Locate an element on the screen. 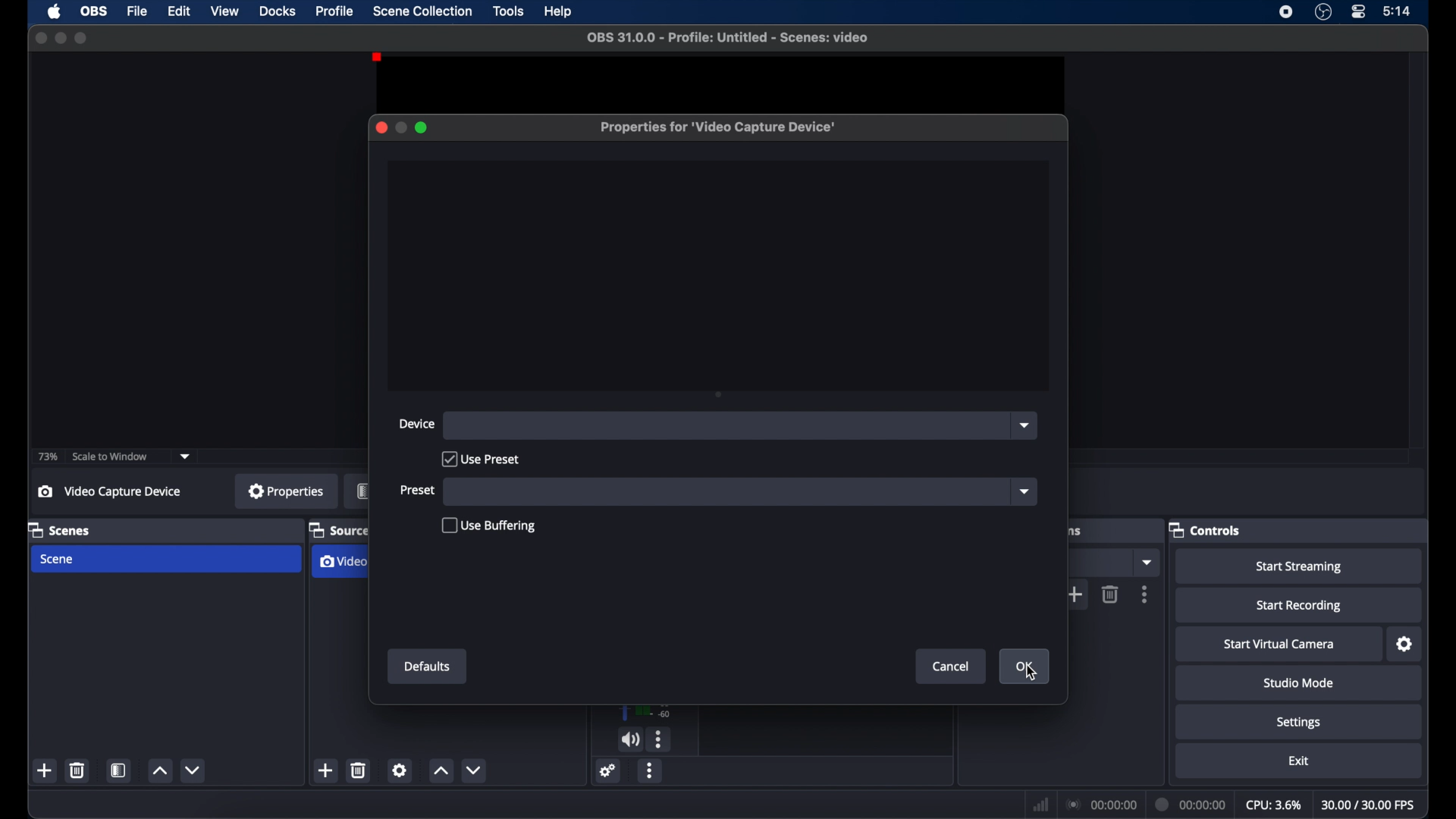 This screenshot has height=819, width=1456. decrement is located at coordinates (194, 770).